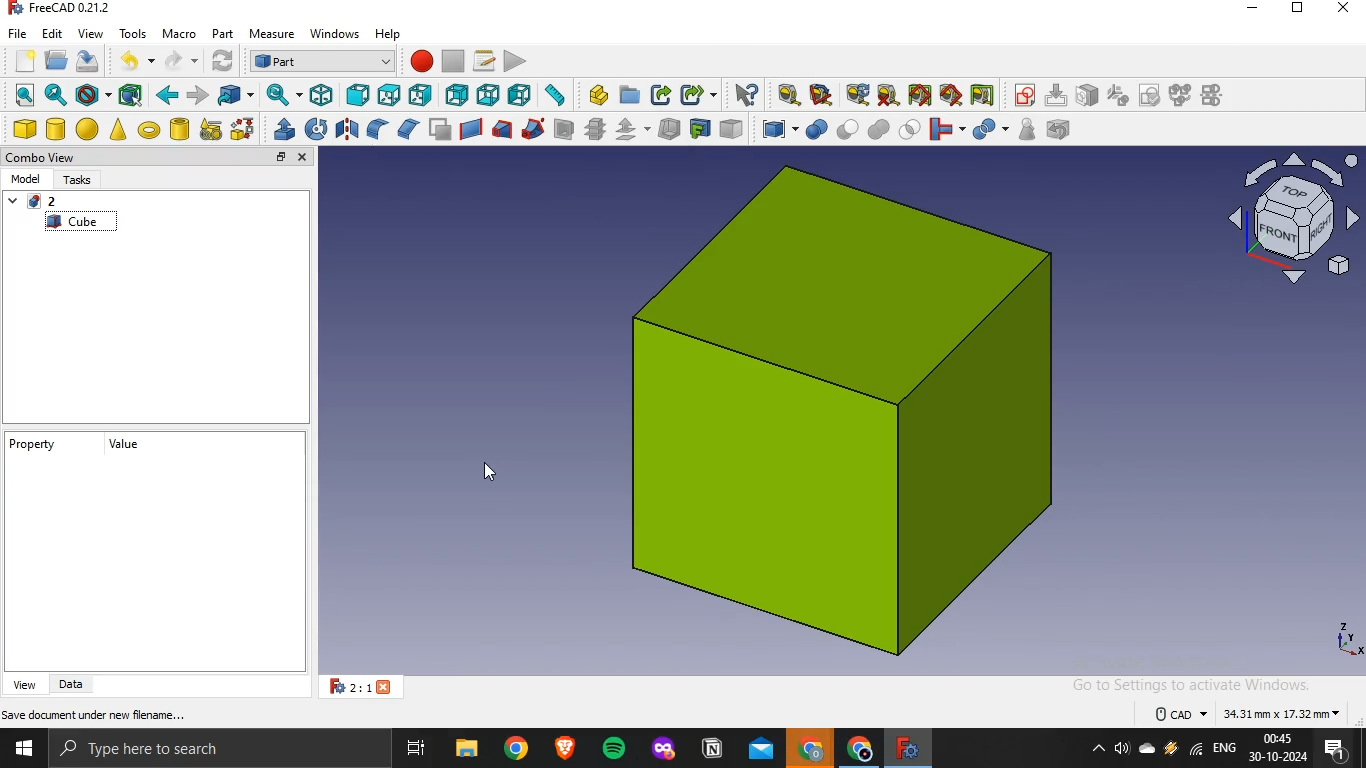  Describe the element at coordinates (131, 61) in the screenshot. I see `undo` at that location.